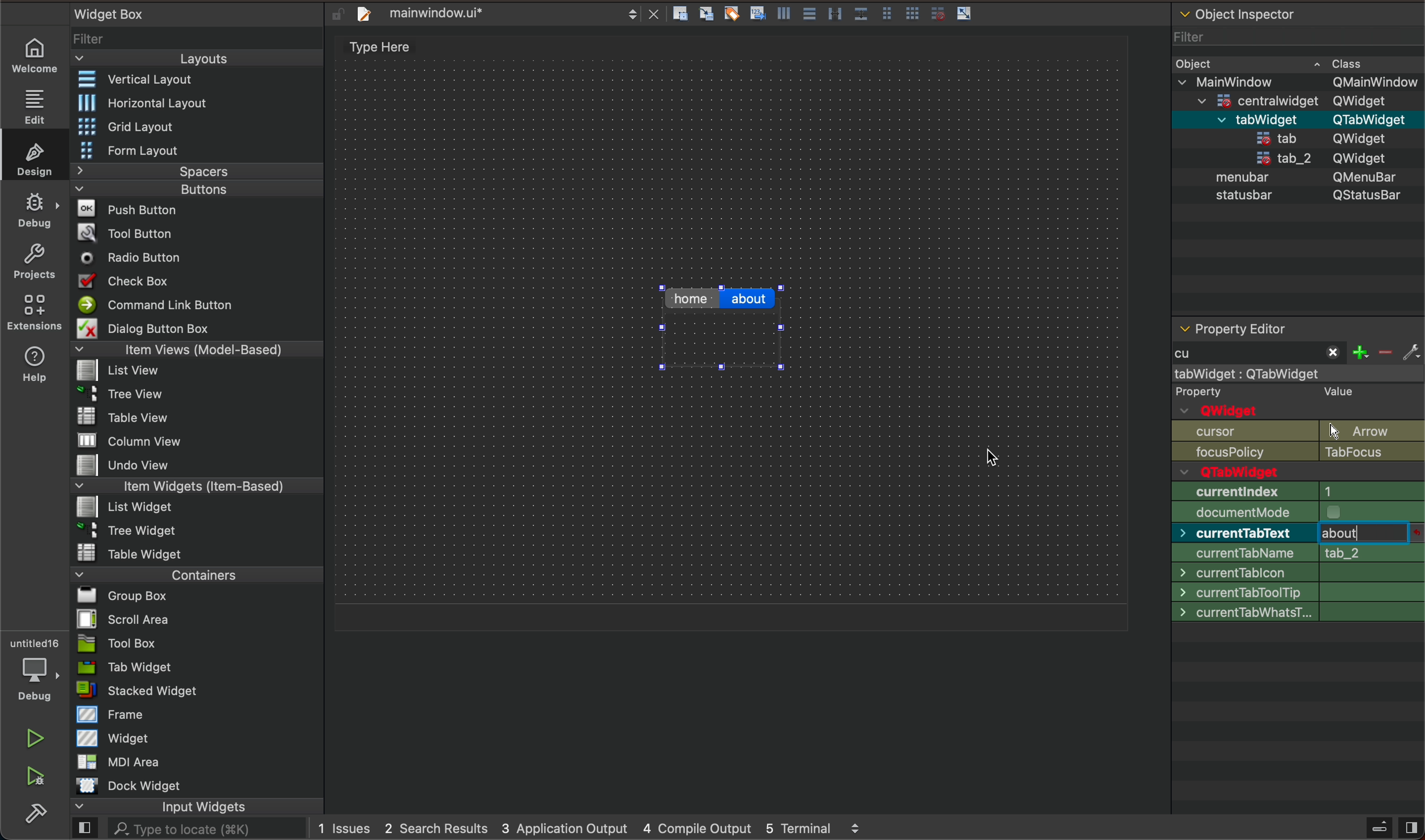 The image size is (1425, 840). I want to click on Frame, so click(105, 714).